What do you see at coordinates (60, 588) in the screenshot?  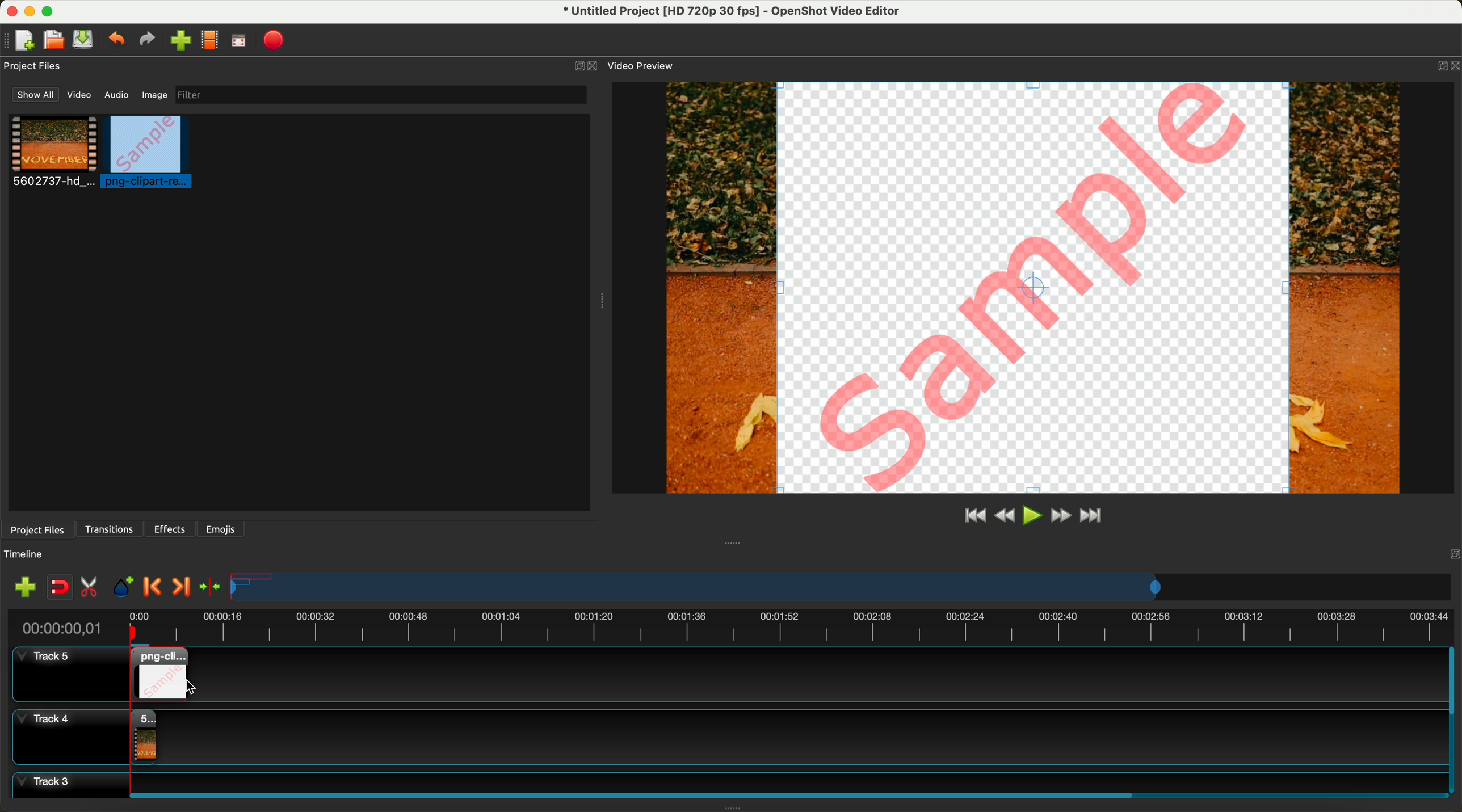 I see `disable snapping` at bounding box center [60, 588].